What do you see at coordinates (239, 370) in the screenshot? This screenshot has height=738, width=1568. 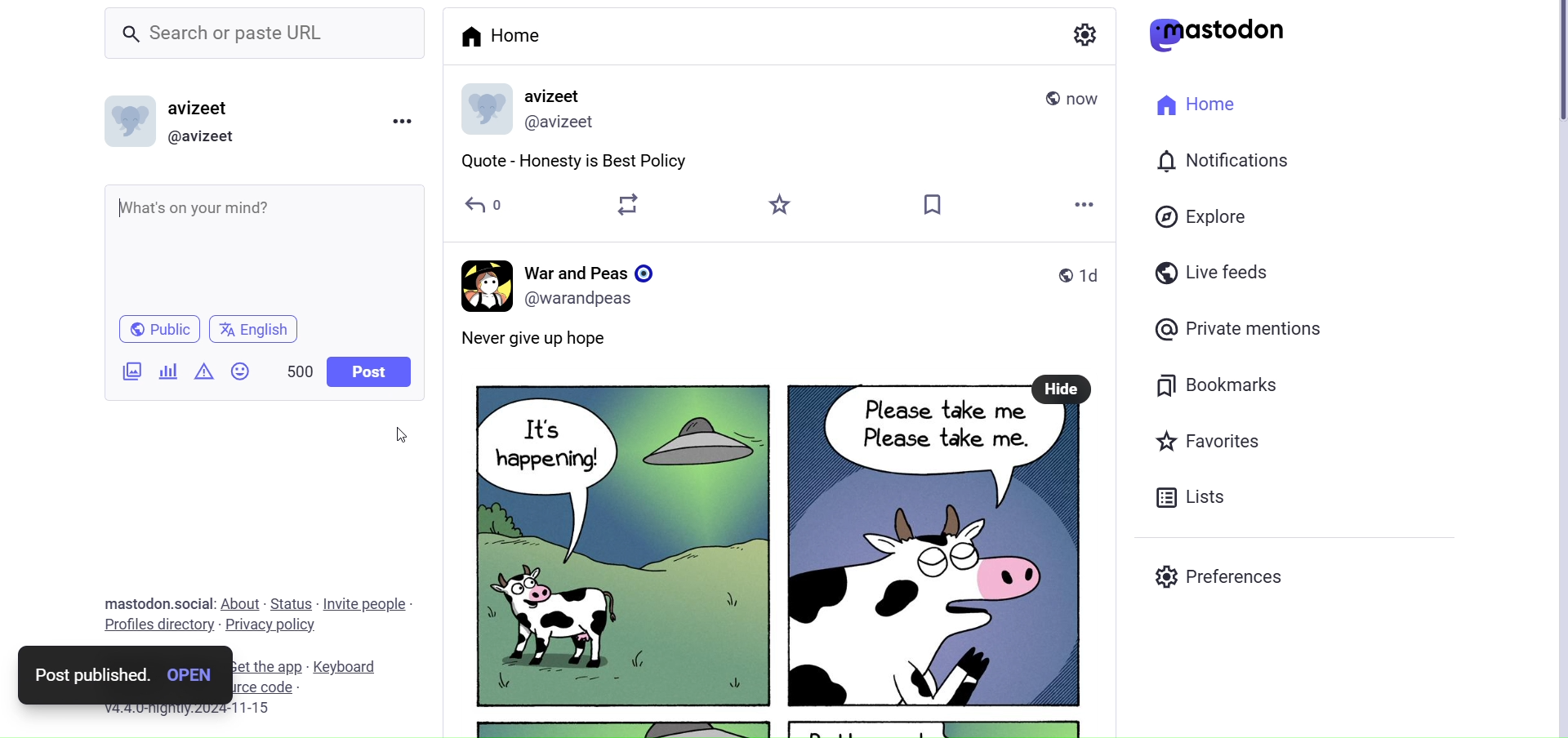 I see `Emojis` at bounding box center [239, 370].